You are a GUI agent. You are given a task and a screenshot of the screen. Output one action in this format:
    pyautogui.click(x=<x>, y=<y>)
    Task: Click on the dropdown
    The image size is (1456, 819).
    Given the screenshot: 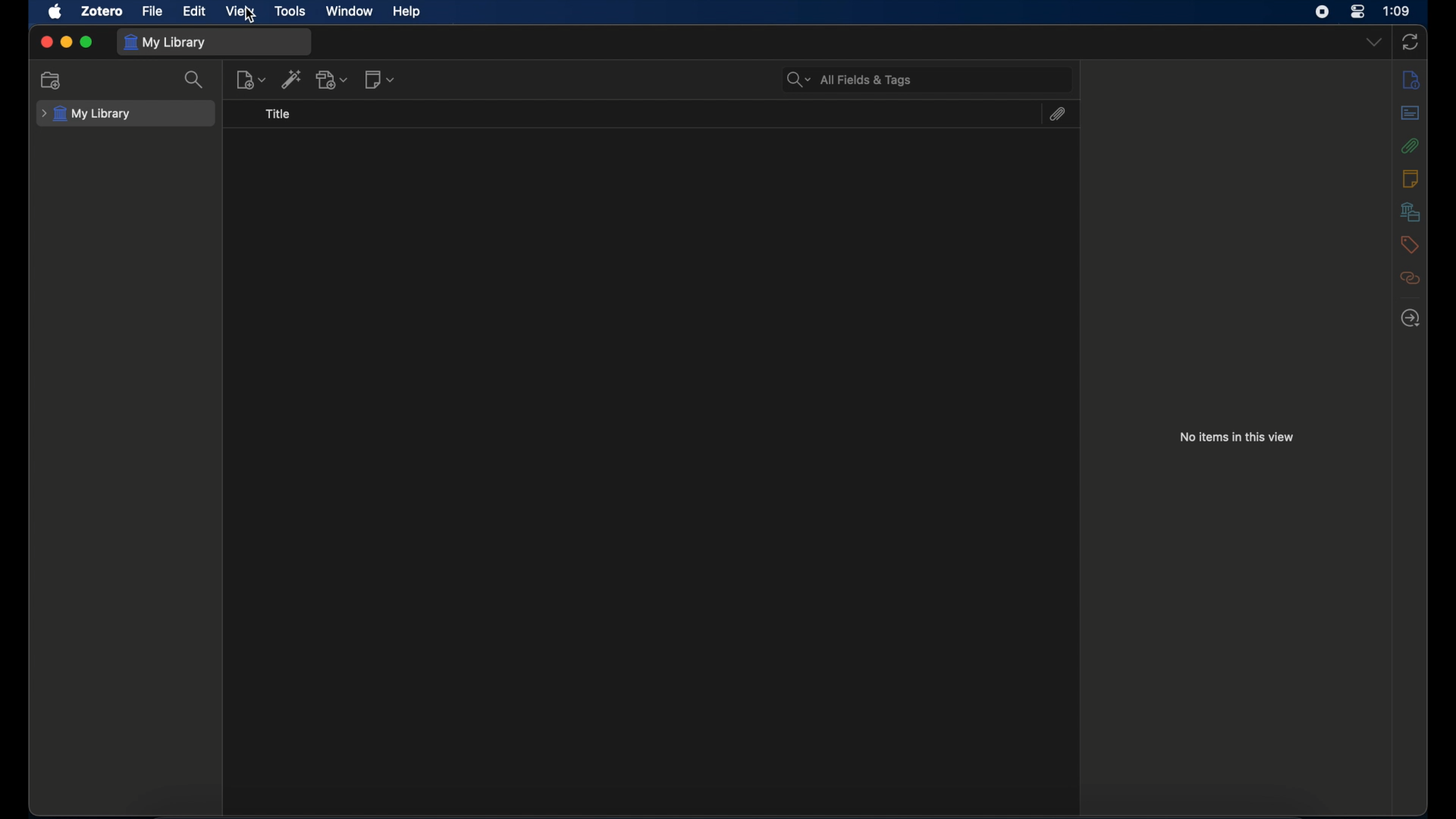 What is the action you would take?
    pyautogui.click(x=1373, y=42)
    